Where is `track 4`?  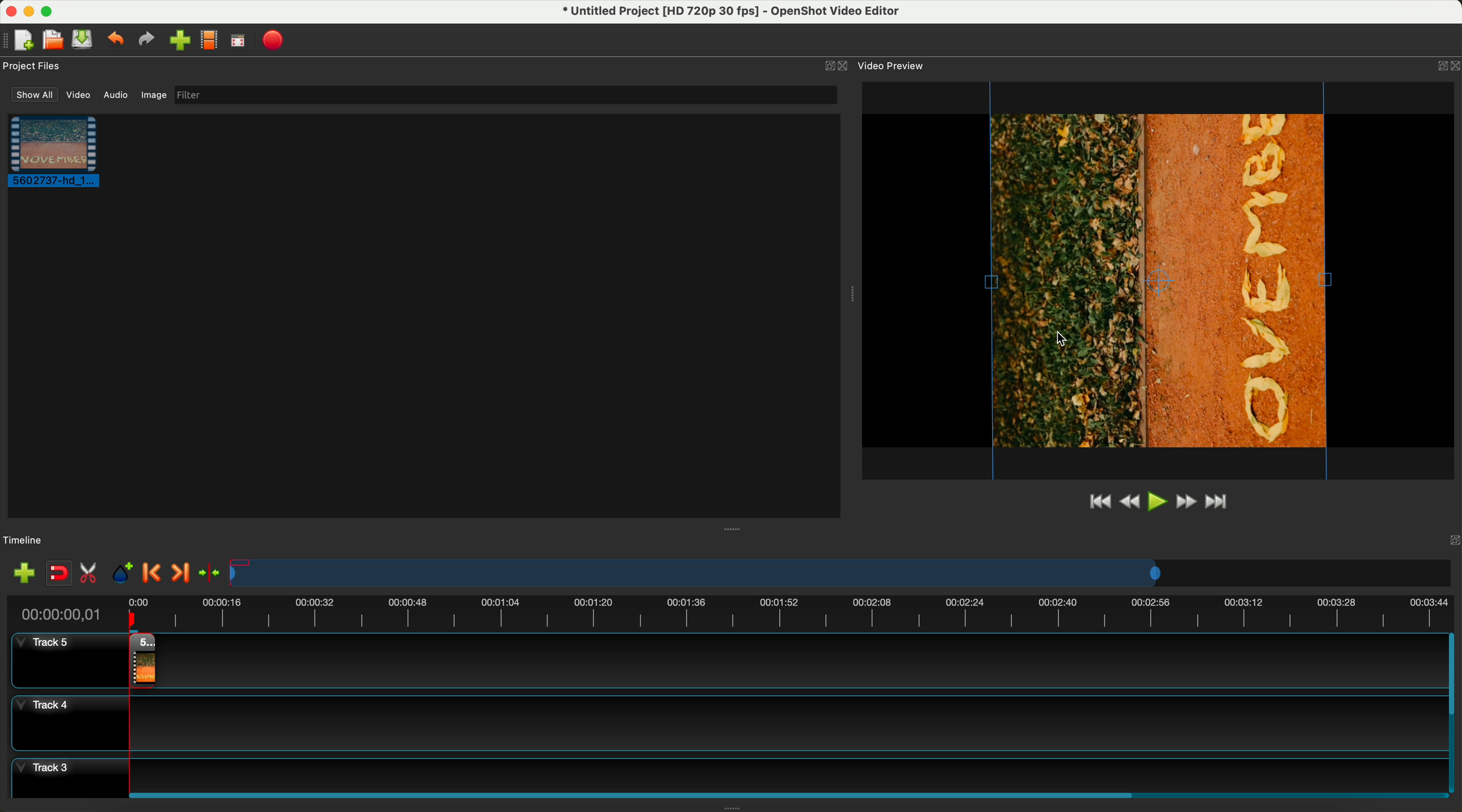
track 4 is located at coordinates (725, 725).